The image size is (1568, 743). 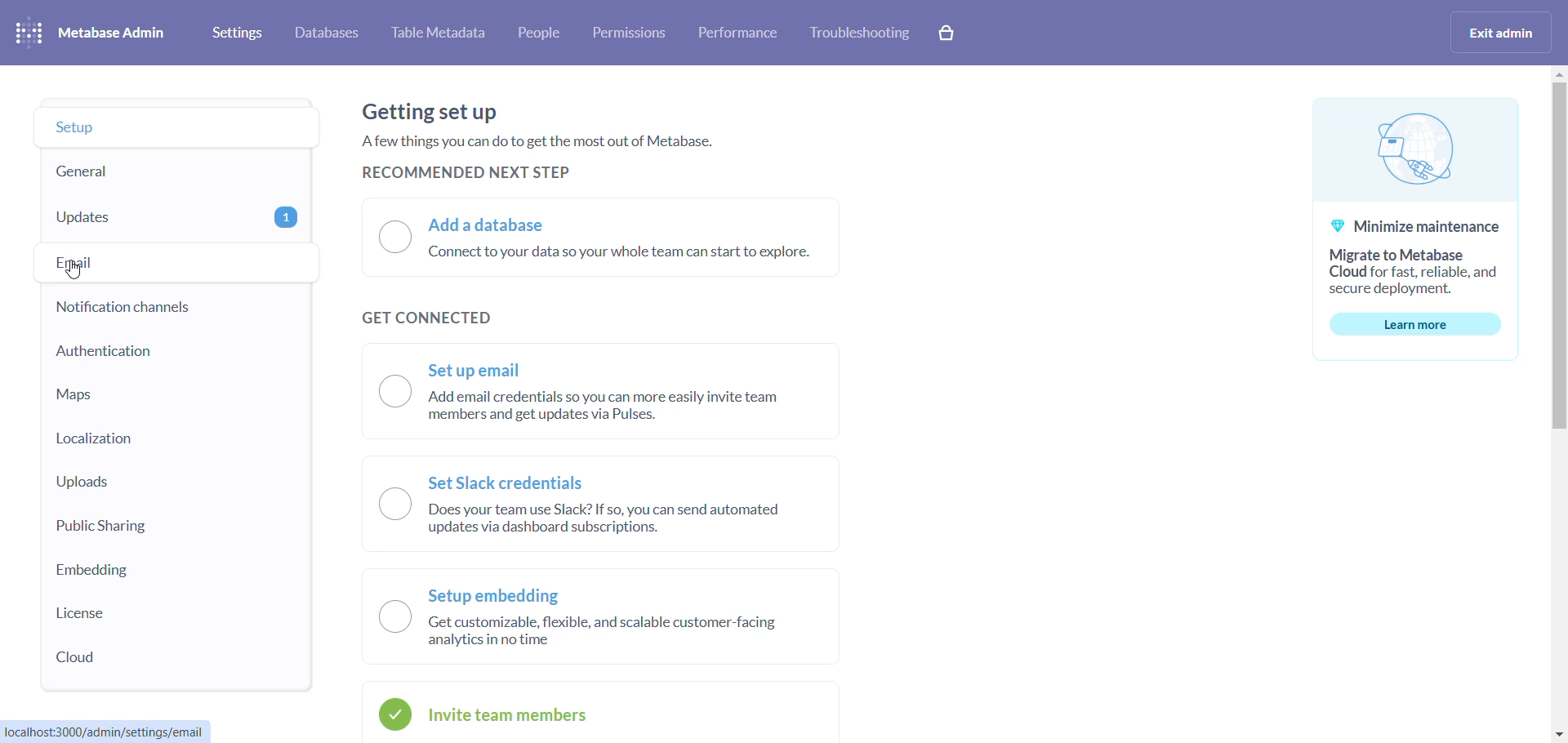 I want to click on public sharing, so click(x=145, y=530).